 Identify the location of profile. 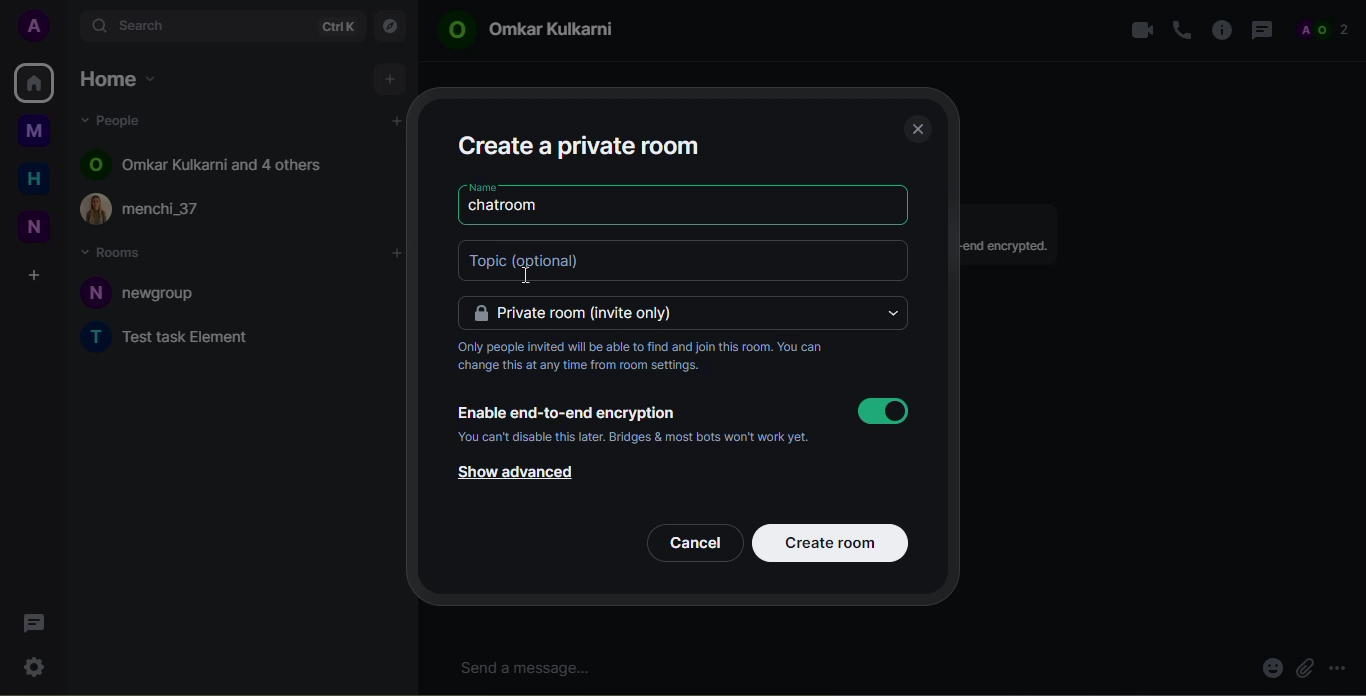
(37, 25).